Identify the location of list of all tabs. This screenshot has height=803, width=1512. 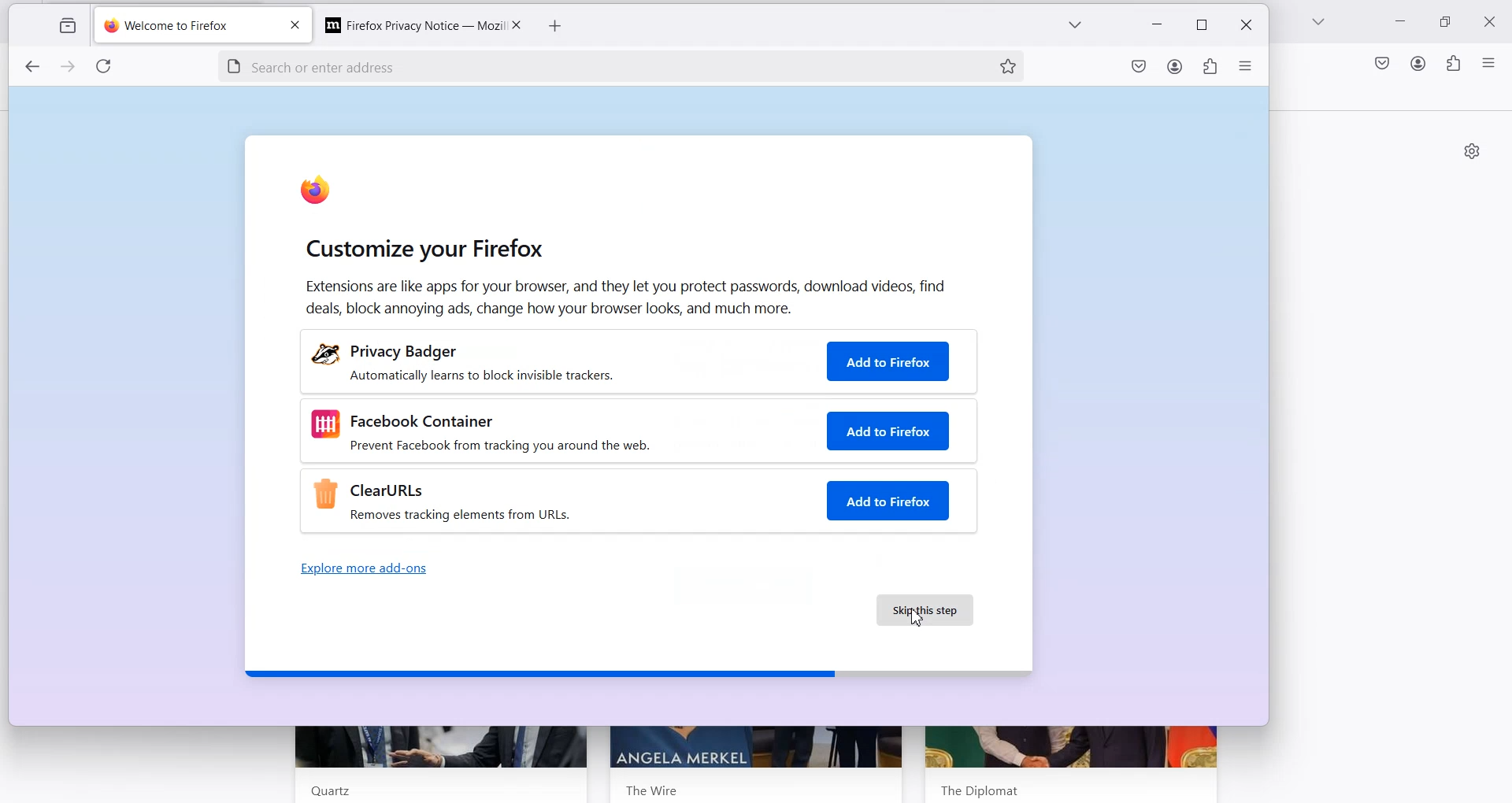
(1073, 28).